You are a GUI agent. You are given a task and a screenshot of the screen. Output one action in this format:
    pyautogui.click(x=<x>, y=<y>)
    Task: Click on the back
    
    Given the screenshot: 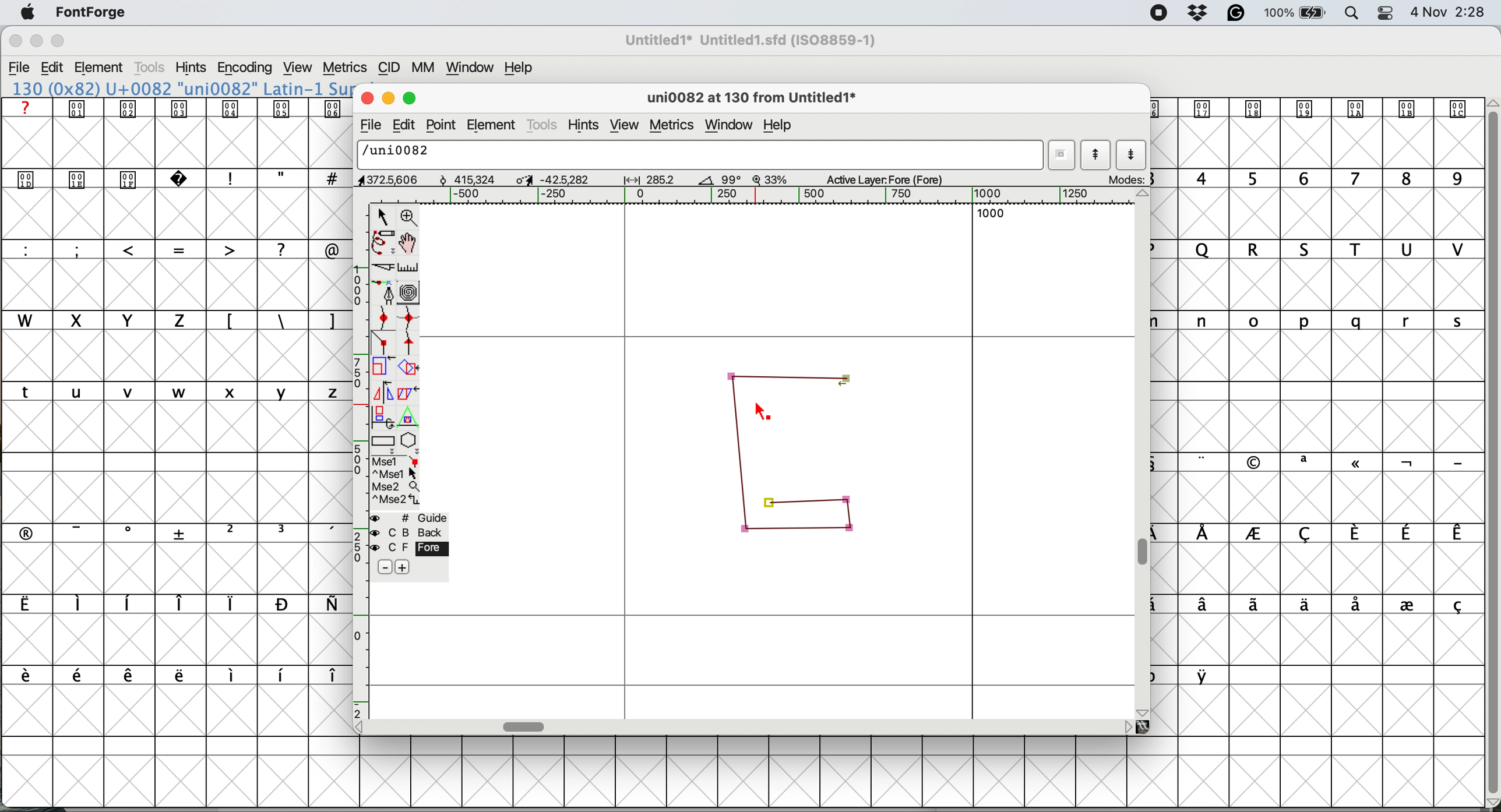 What is the action you would take?
    pyautogui.click(x=410, y=532)
    